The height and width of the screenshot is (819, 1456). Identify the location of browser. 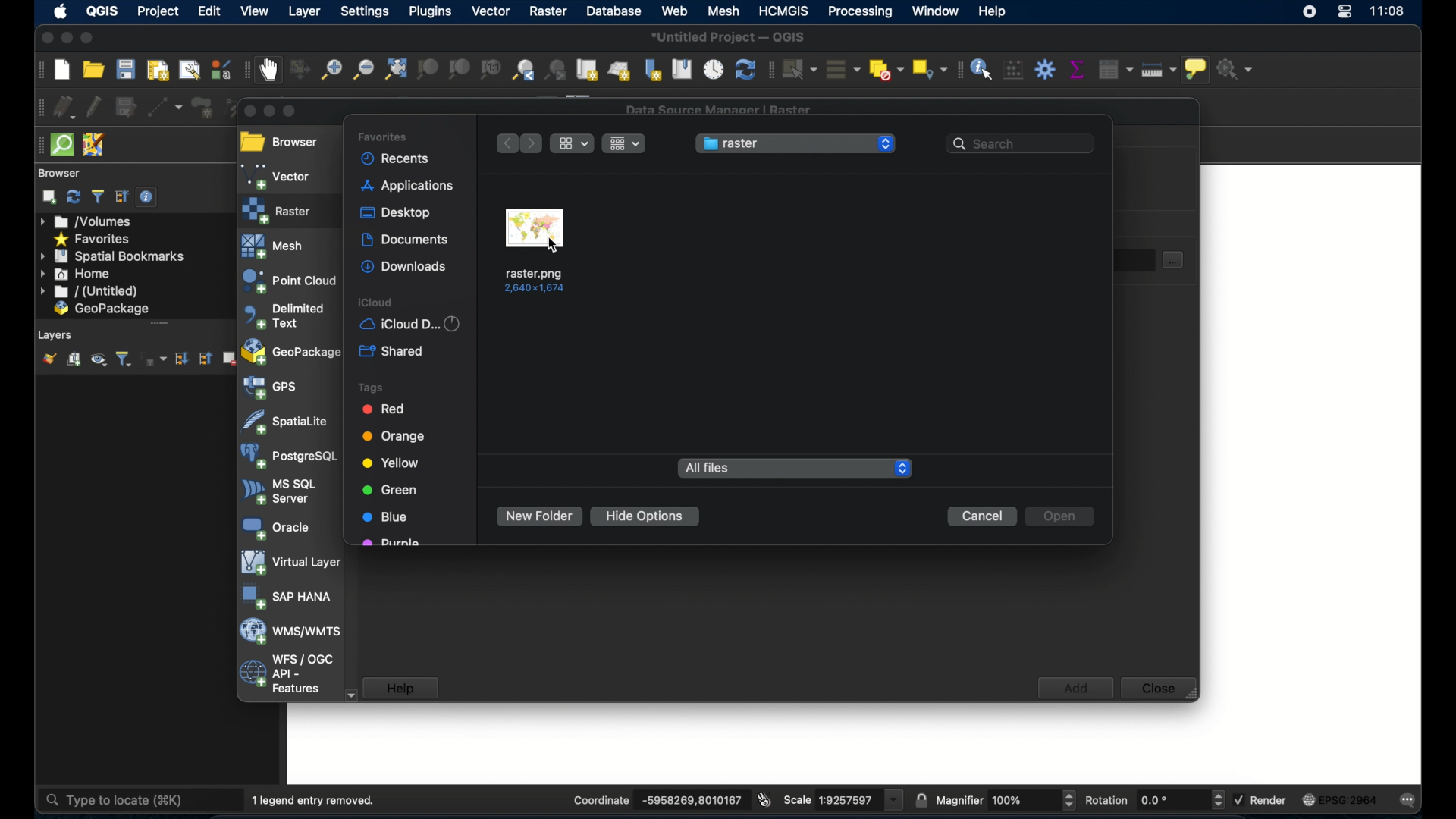
(283, 138).